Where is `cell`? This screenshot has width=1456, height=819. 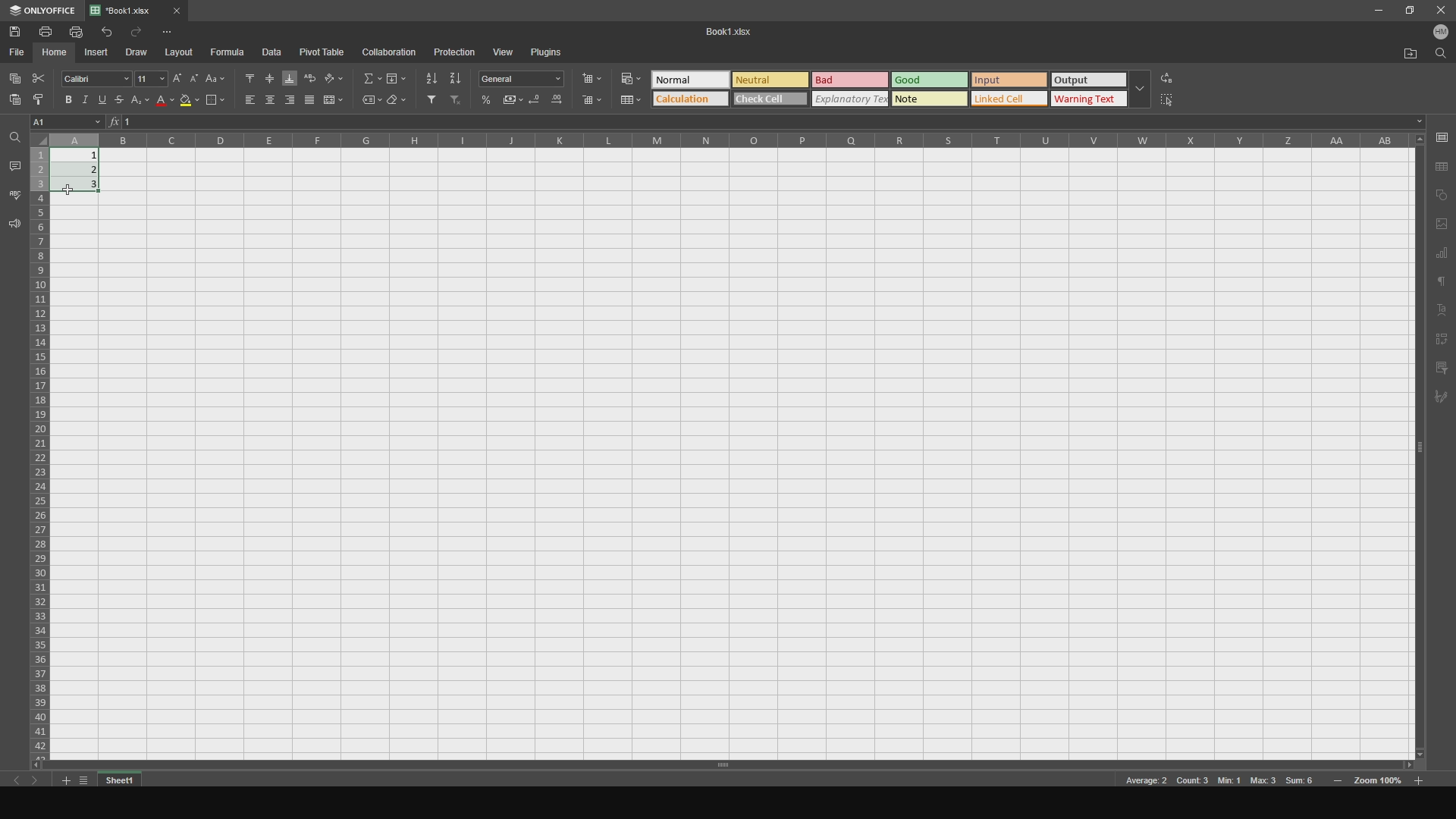 cell is located at coordinates (68, 121).